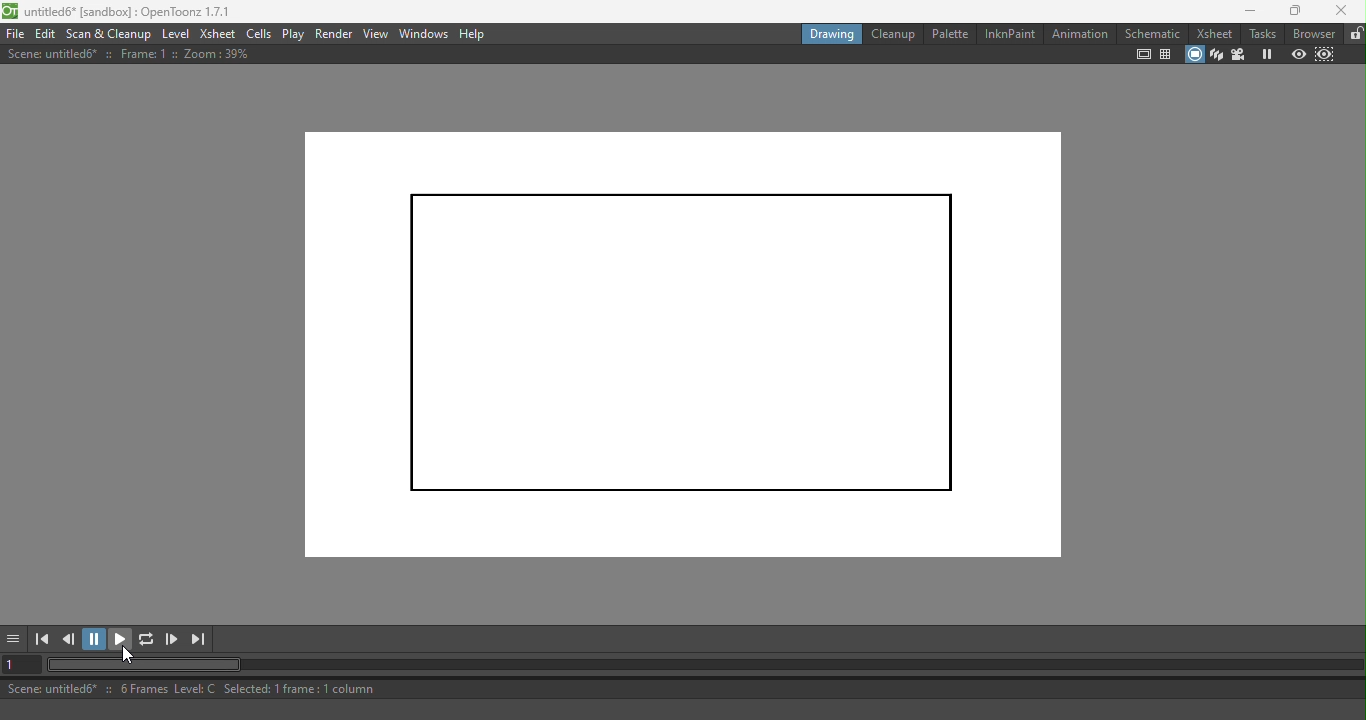 The height and width of the screenshot is (720, 1366). What do you see at coordinates (96, 640) in the screenshot?
I see `Pause` at bounding box center [96, 640].